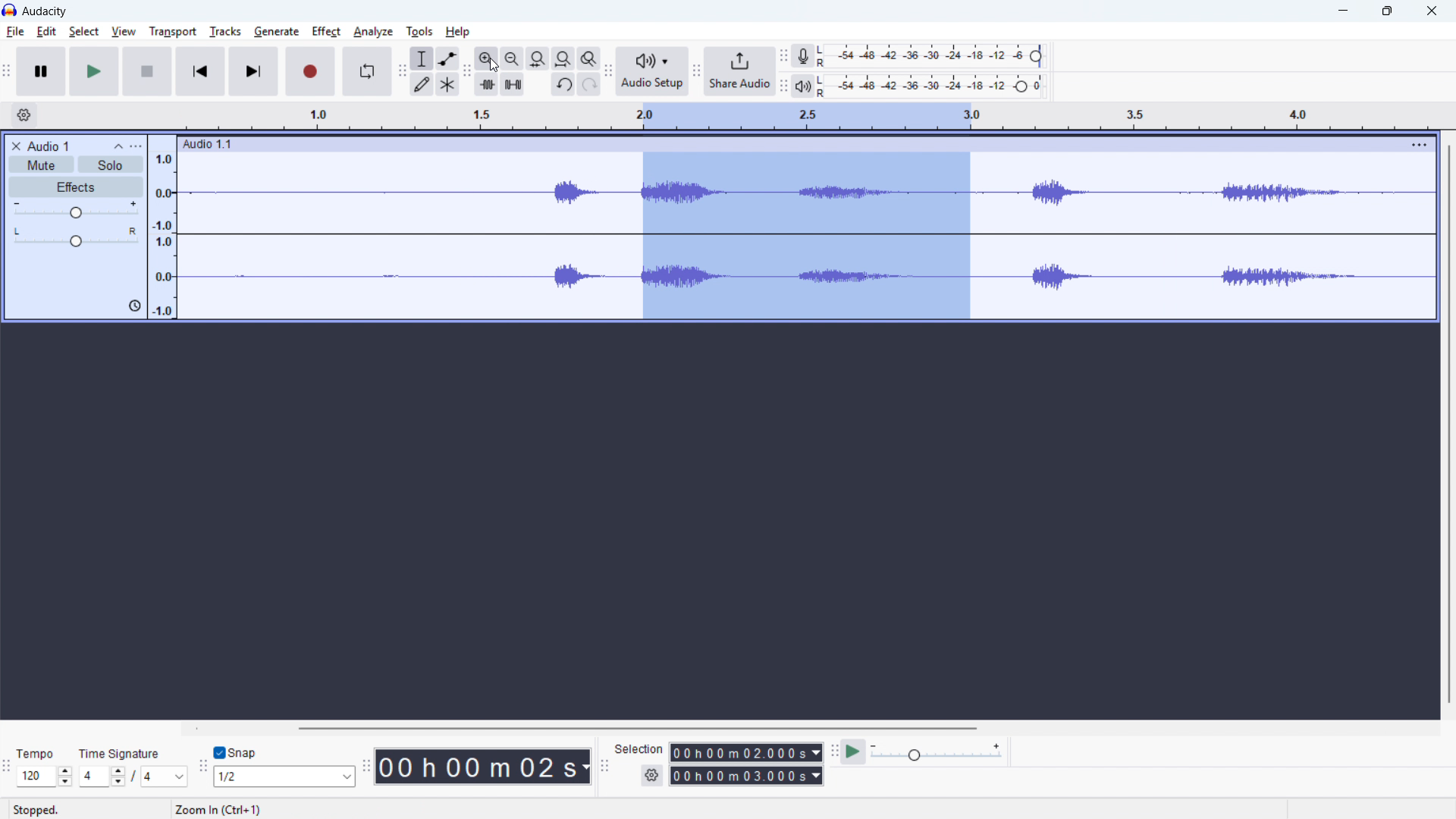  Describe the element at coordinates (419, 31) in the screenshot. I see `Tools` at that location.